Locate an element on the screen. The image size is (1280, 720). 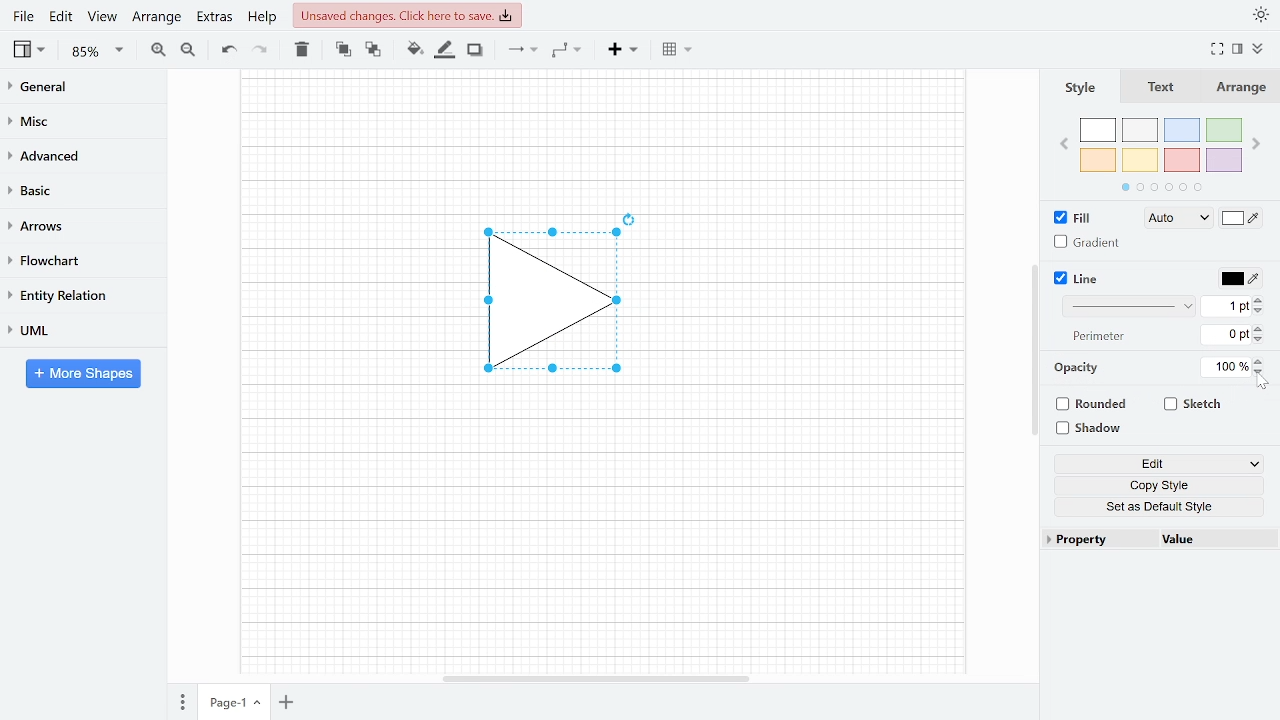
Current Opacity is located at coordinates (1223, 366).